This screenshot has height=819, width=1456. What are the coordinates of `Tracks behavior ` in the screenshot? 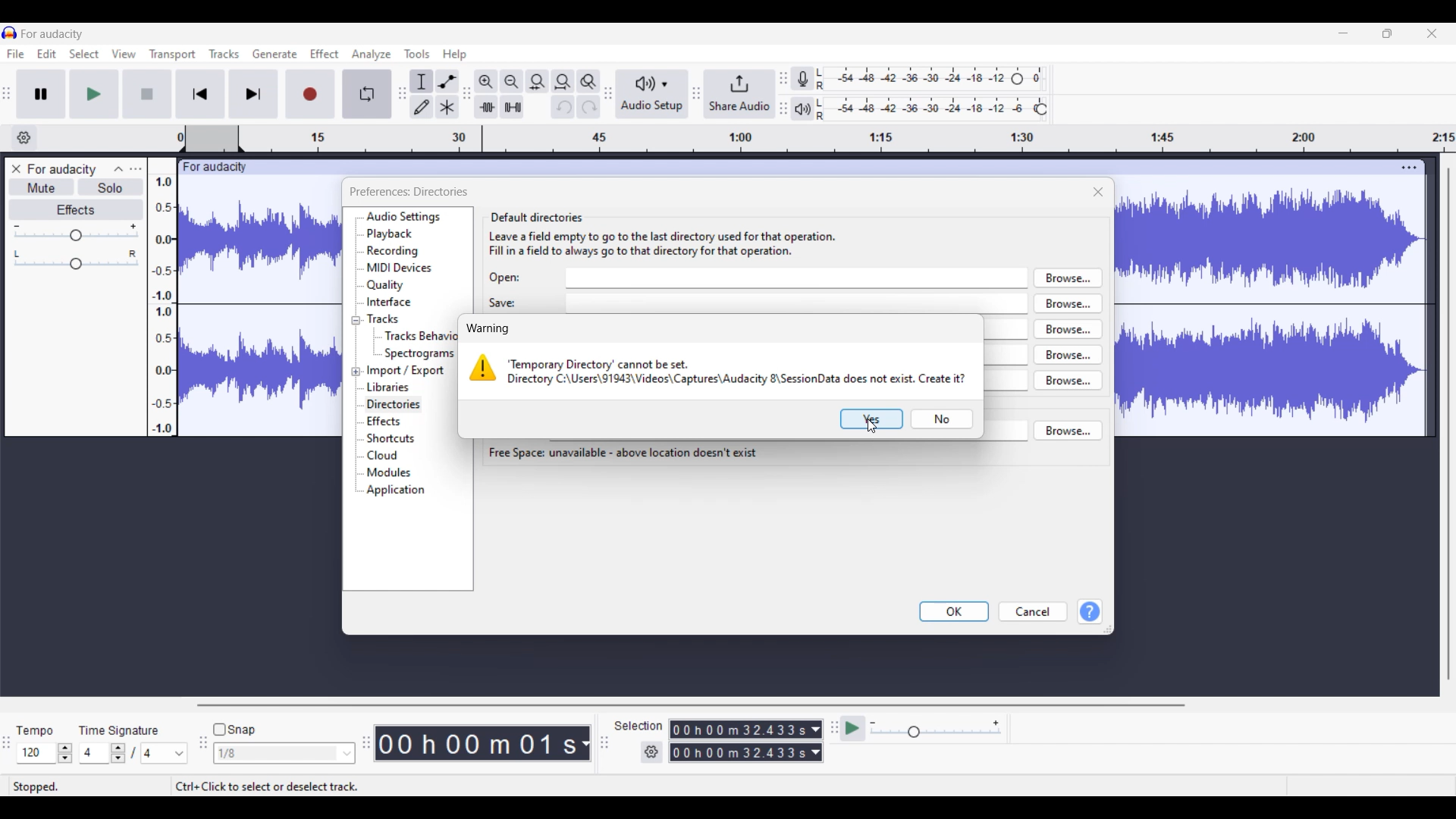 It's located at (421, 335).